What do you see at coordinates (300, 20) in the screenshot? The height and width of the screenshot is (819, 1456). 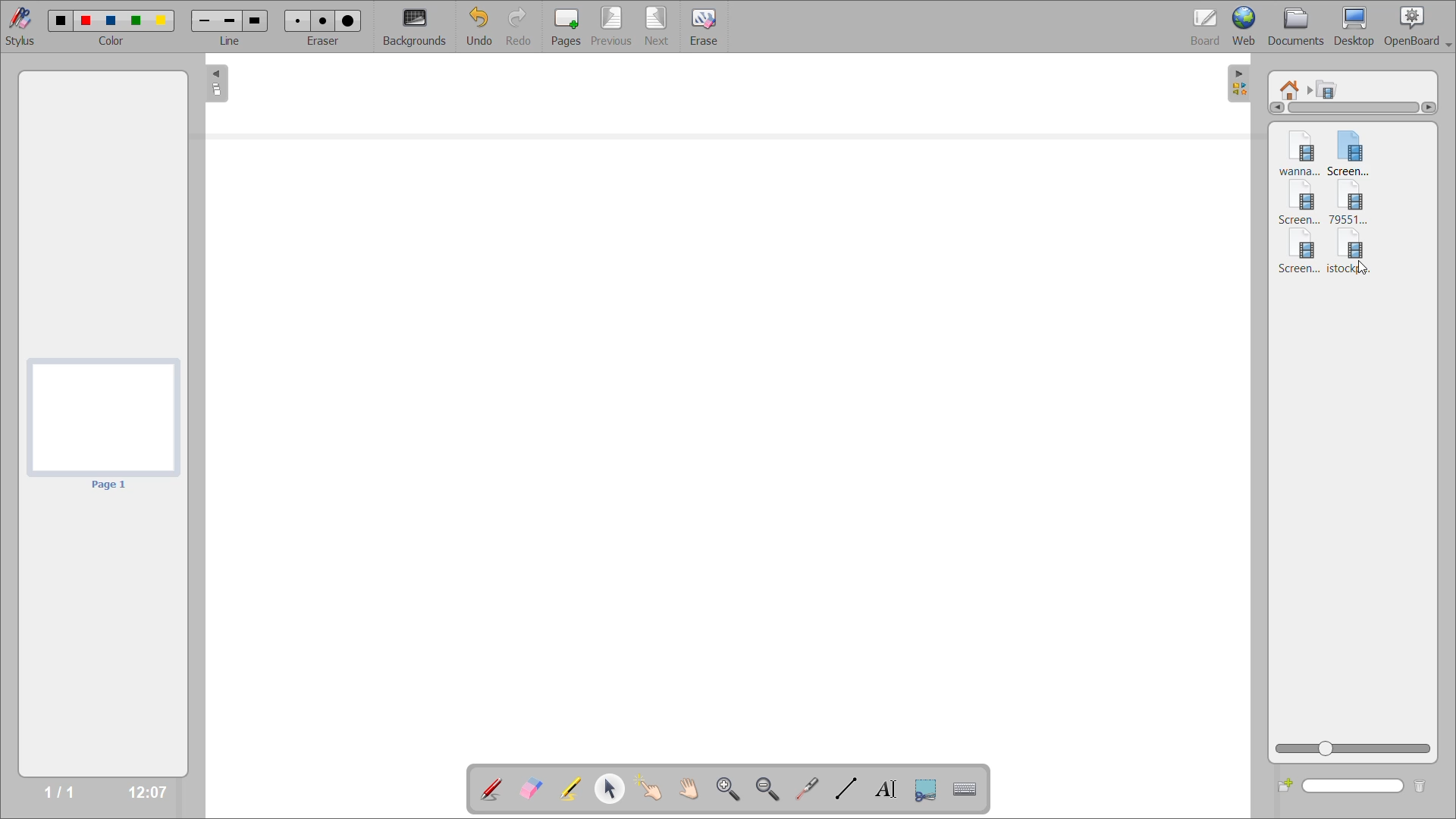 I see `small eraser` at bounding box center [300, 20].